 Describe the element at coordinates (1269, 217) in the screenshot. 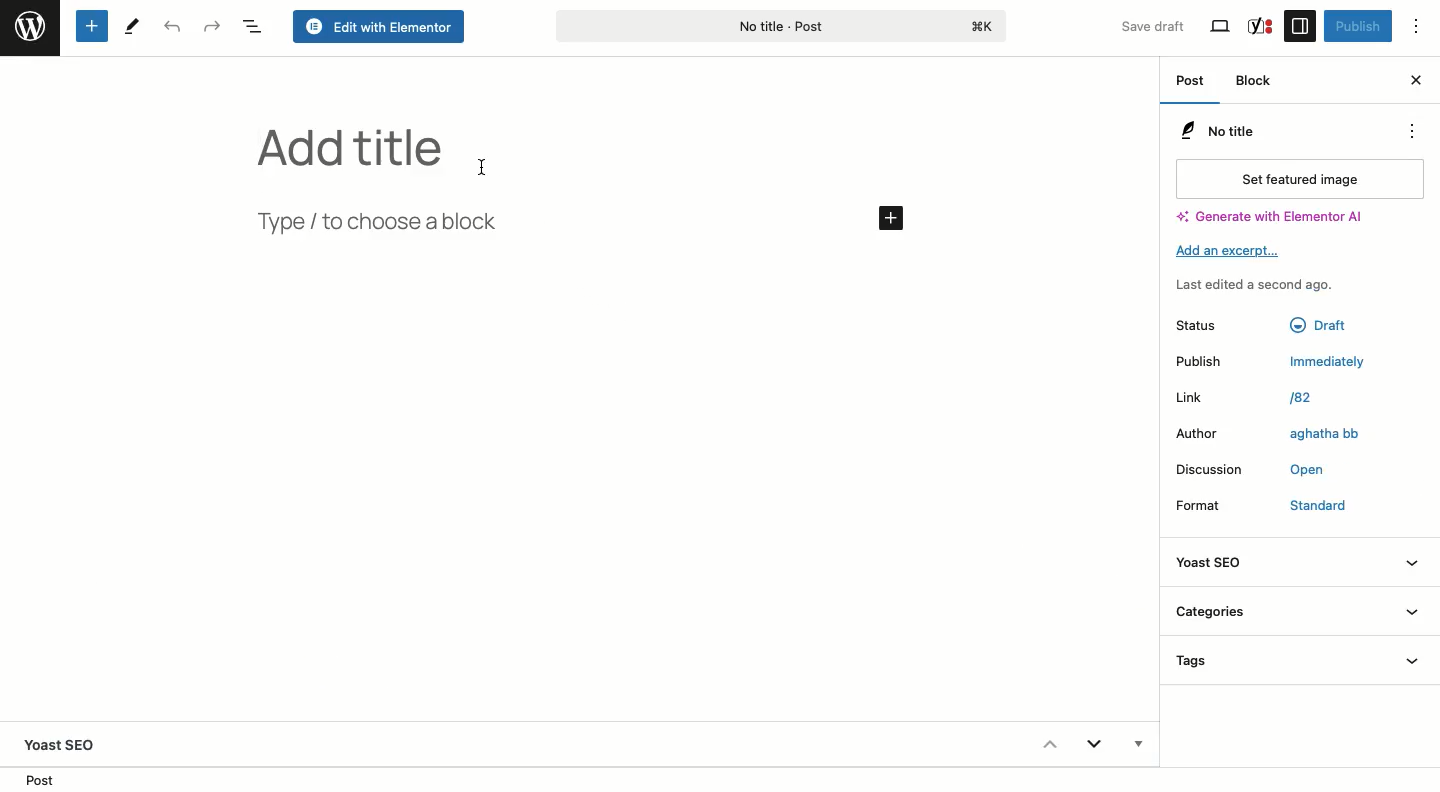

I see `Generate with Elementor Al` at that location.